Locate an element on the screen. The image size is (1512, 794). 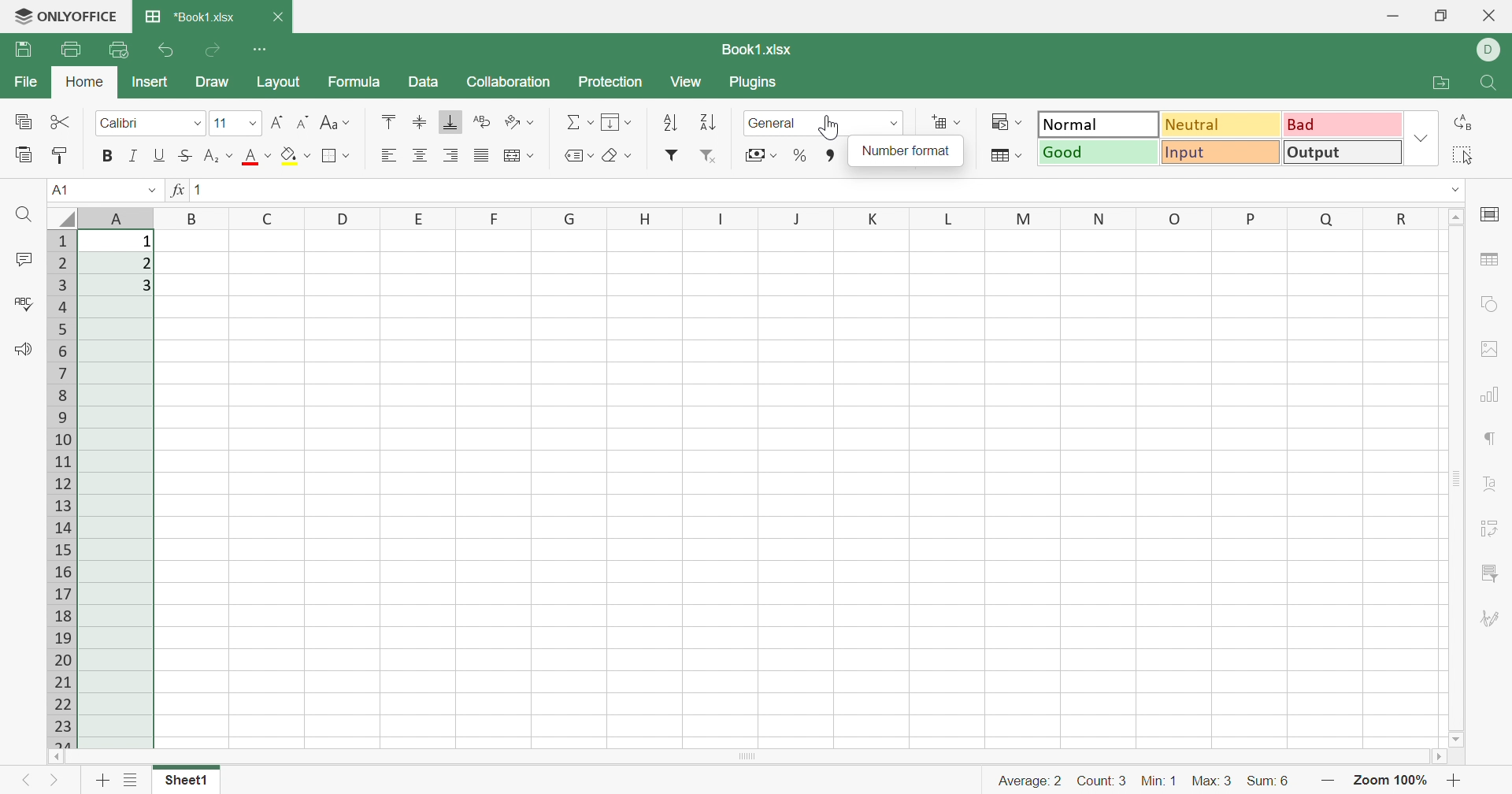
Plugins is located at coordinates (752, 82).